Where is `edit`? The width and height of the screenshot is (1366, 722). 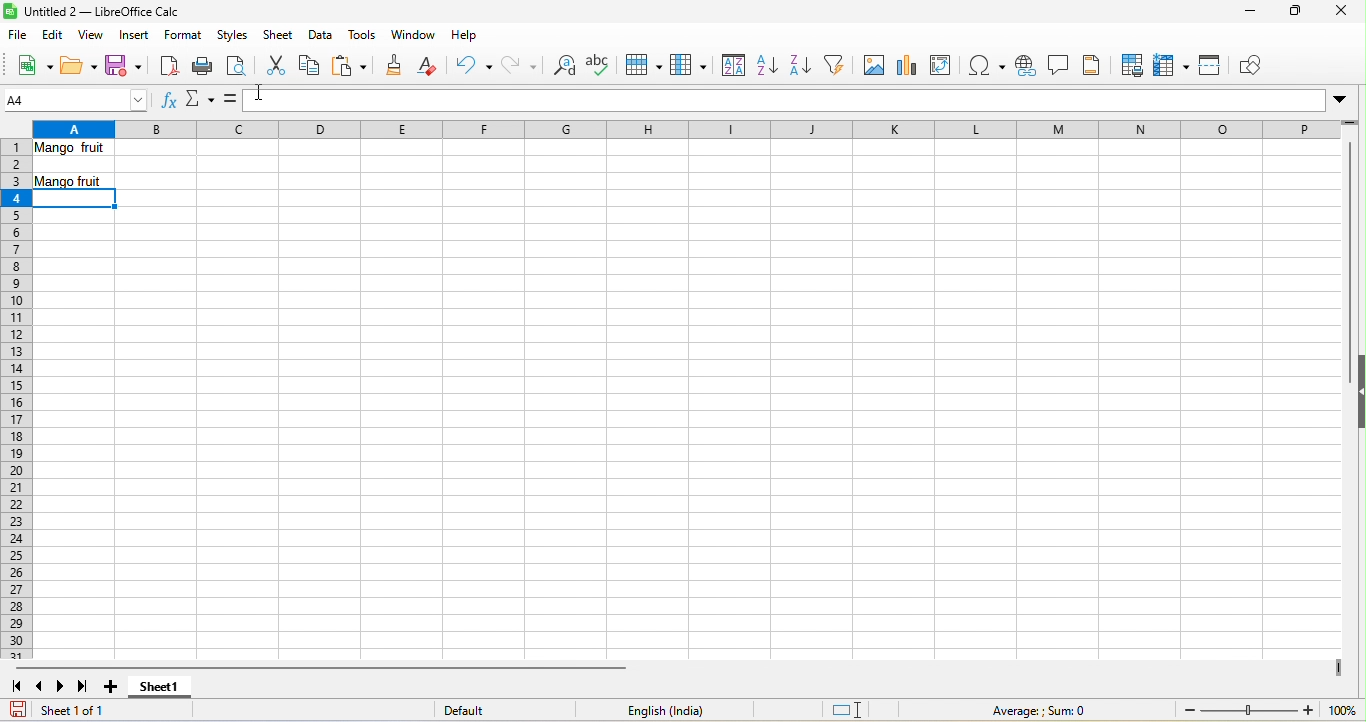 edit is located at coordinates (53, 35).